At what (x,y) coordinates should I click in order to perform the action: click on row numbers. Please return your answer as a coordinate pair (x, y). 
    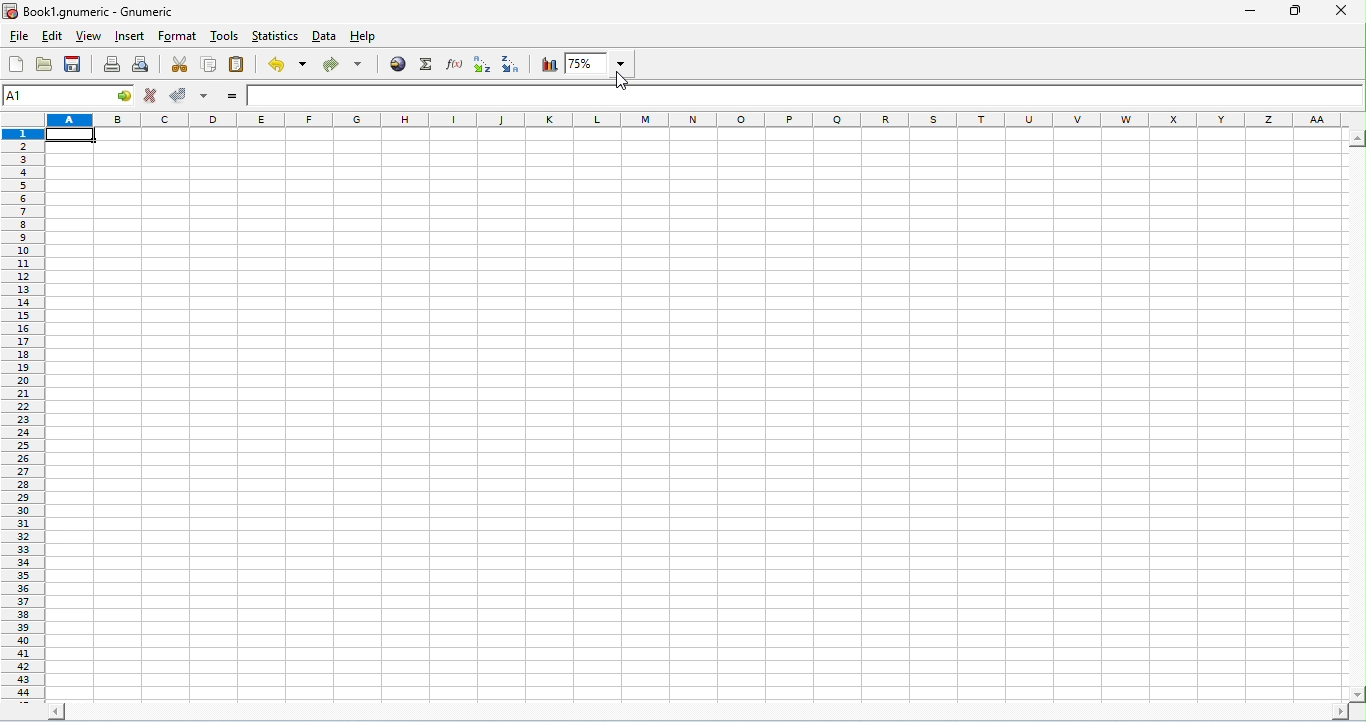
    Looking at the image, I should click on (23, 417).